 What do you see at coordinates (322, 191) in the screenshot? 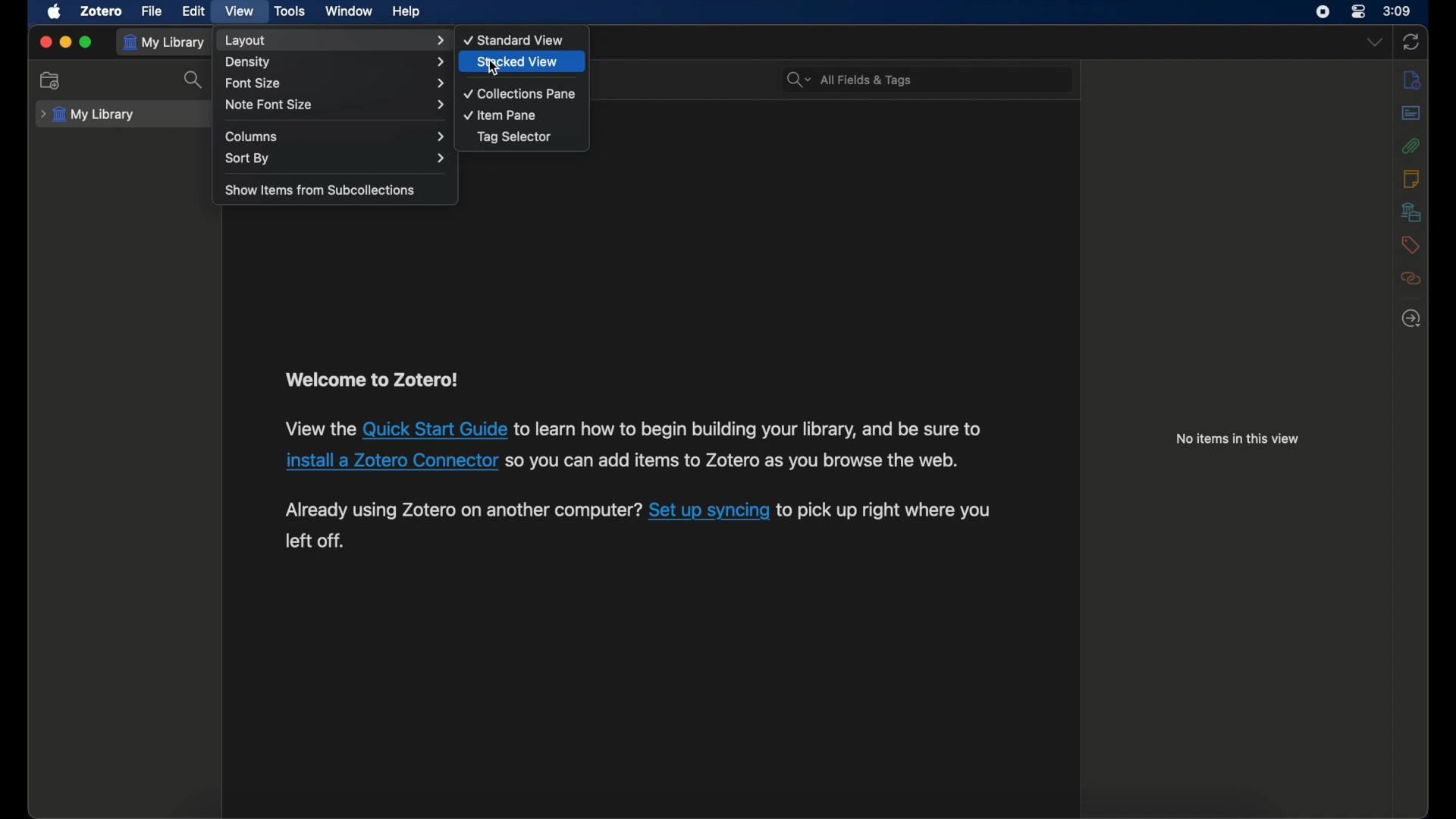
I see `show items from sub collections` at bounding box center [322, 191].